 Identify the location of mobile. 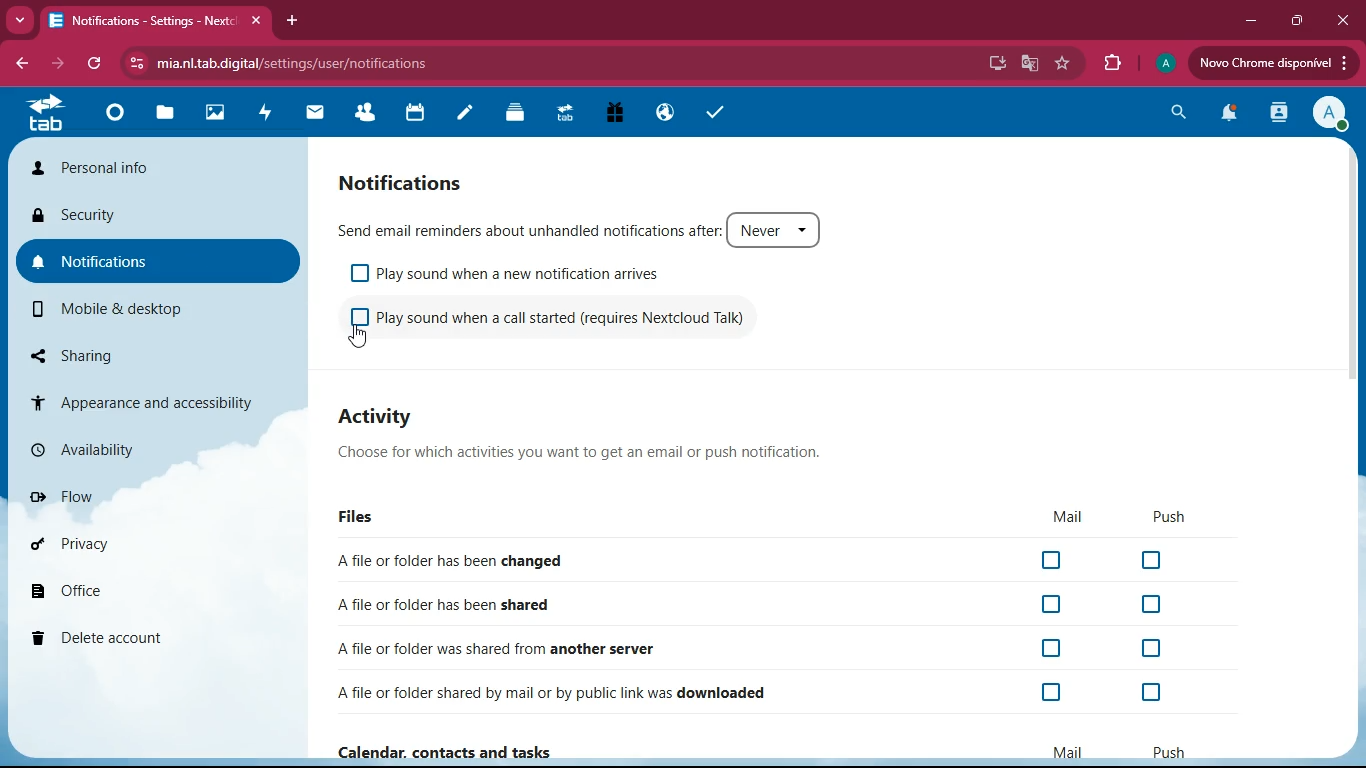
(102, 308).